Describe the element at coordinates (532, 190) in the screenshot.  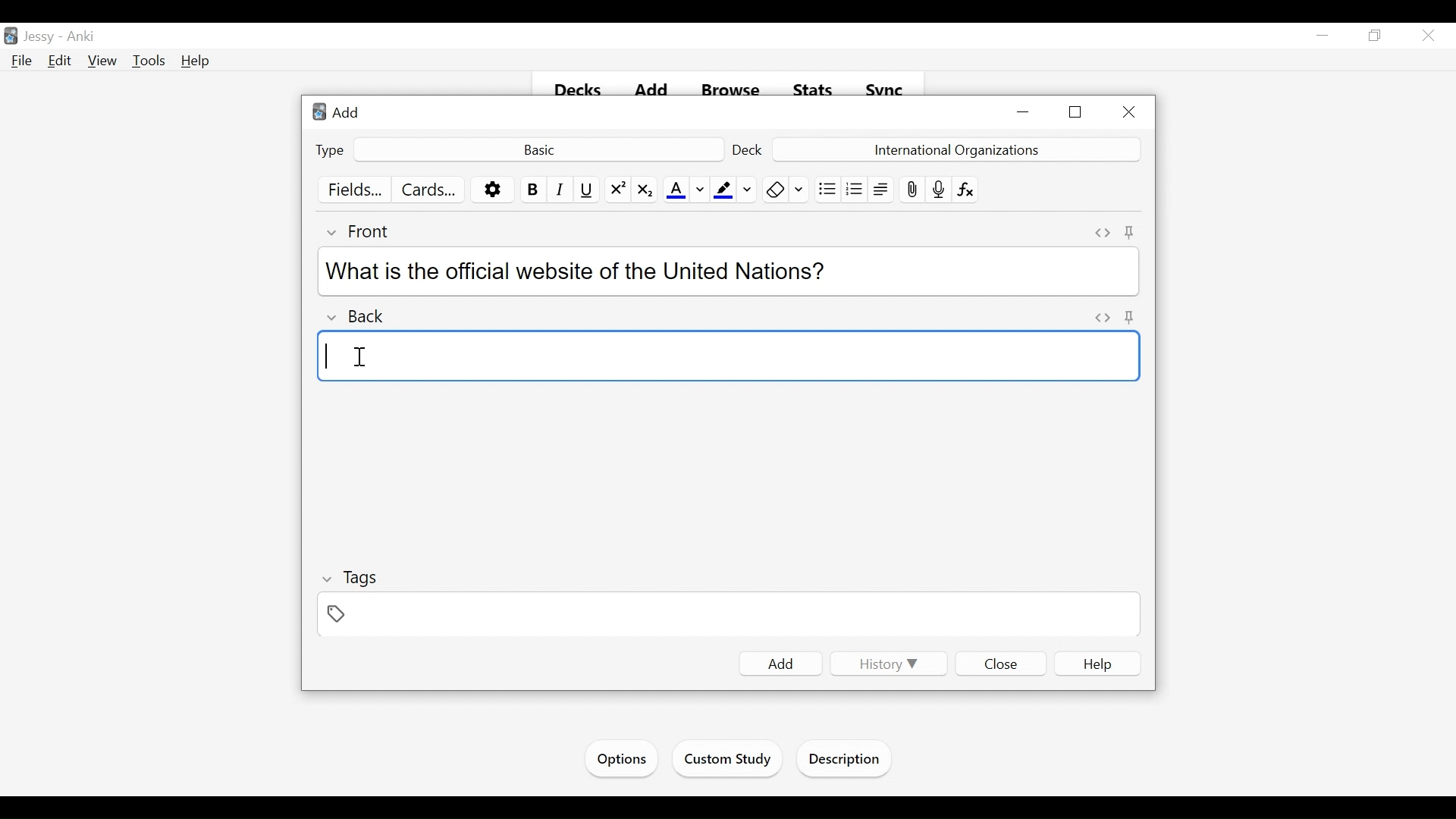
I see `Bold Text` at that location.